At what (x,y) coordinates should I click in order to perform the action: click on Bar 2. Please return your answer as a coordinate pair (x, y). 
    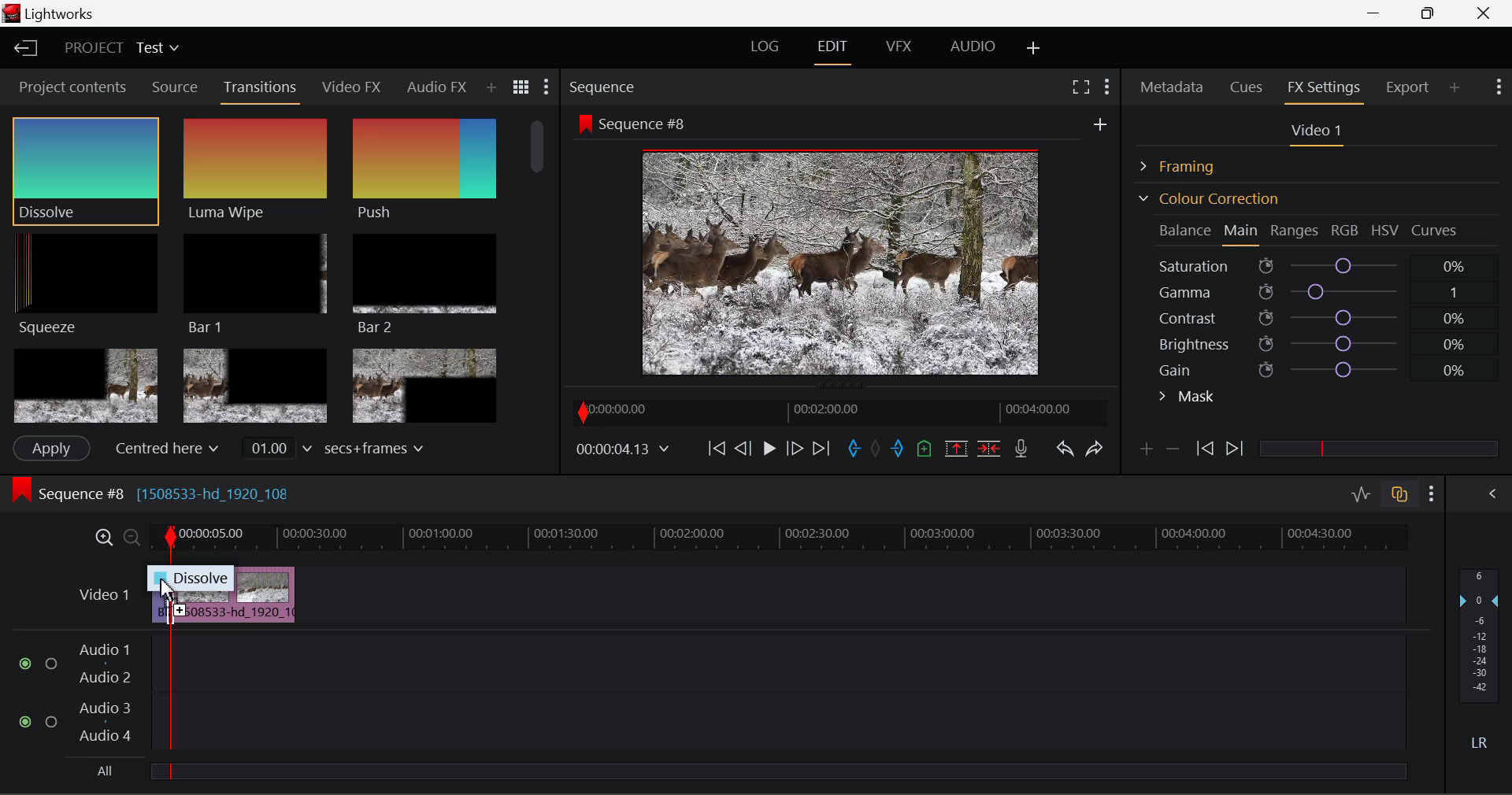
    Looking at the image, I should click on (424, 284).